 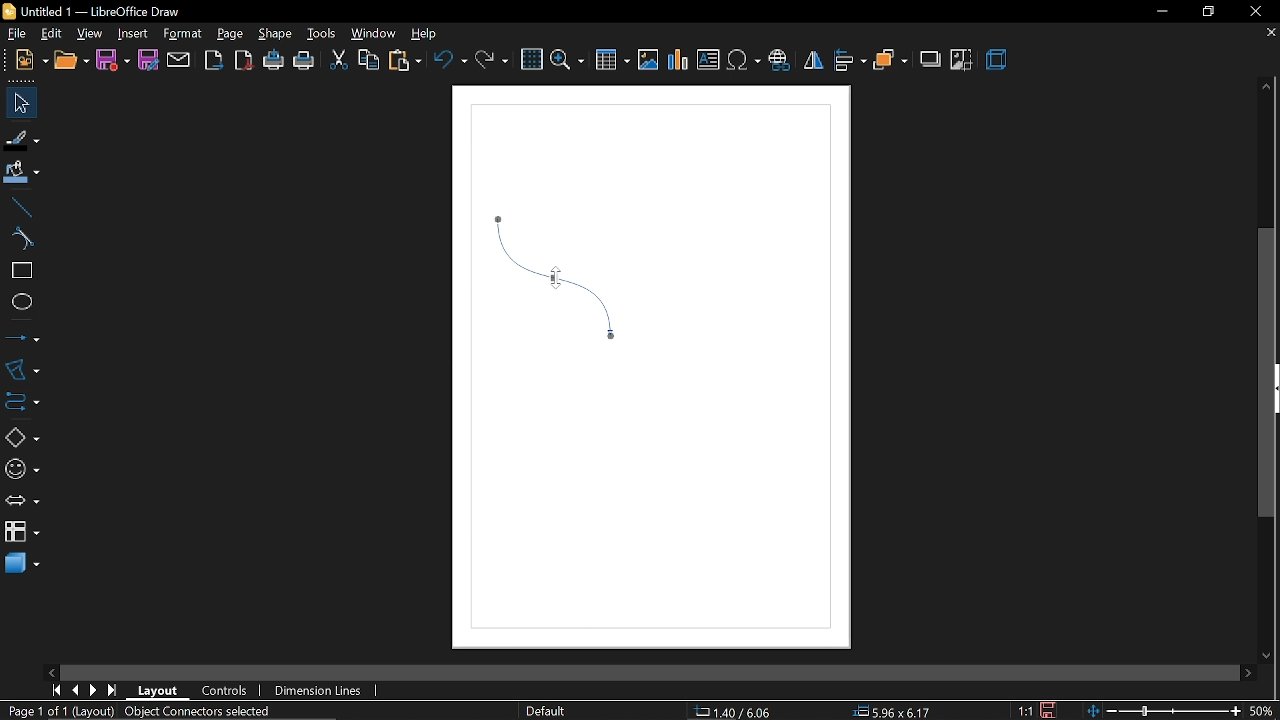 I want to click on redo, so click(x=492, y=62).